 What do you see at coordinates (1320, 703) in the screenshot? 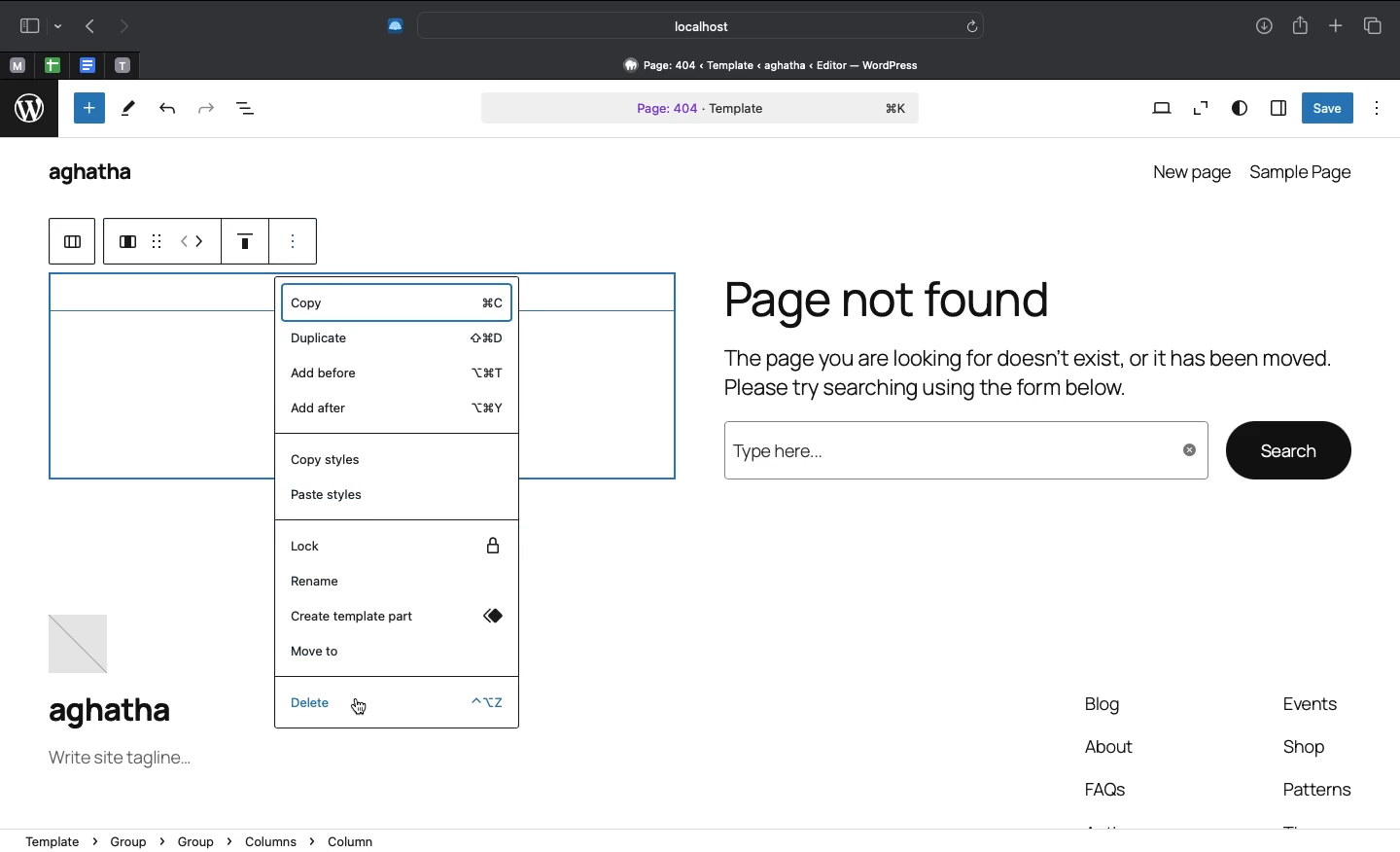
I see `Events` at bounding box center [1320, 703].